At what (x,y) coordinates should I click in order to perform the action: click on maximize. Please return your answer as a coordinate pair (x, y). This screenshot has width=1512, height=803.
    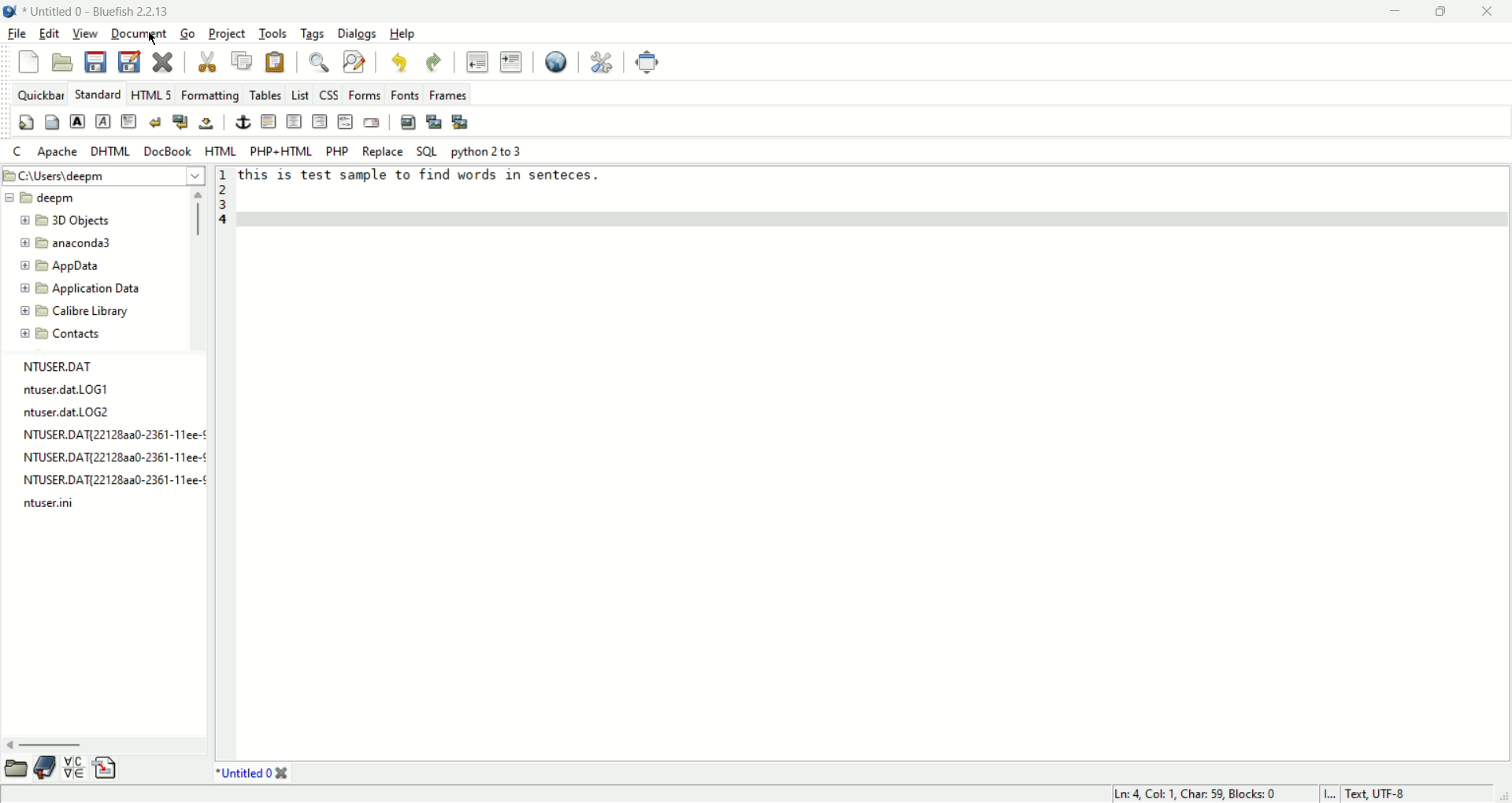
    Looking at the image, I should click on (1442, 12).